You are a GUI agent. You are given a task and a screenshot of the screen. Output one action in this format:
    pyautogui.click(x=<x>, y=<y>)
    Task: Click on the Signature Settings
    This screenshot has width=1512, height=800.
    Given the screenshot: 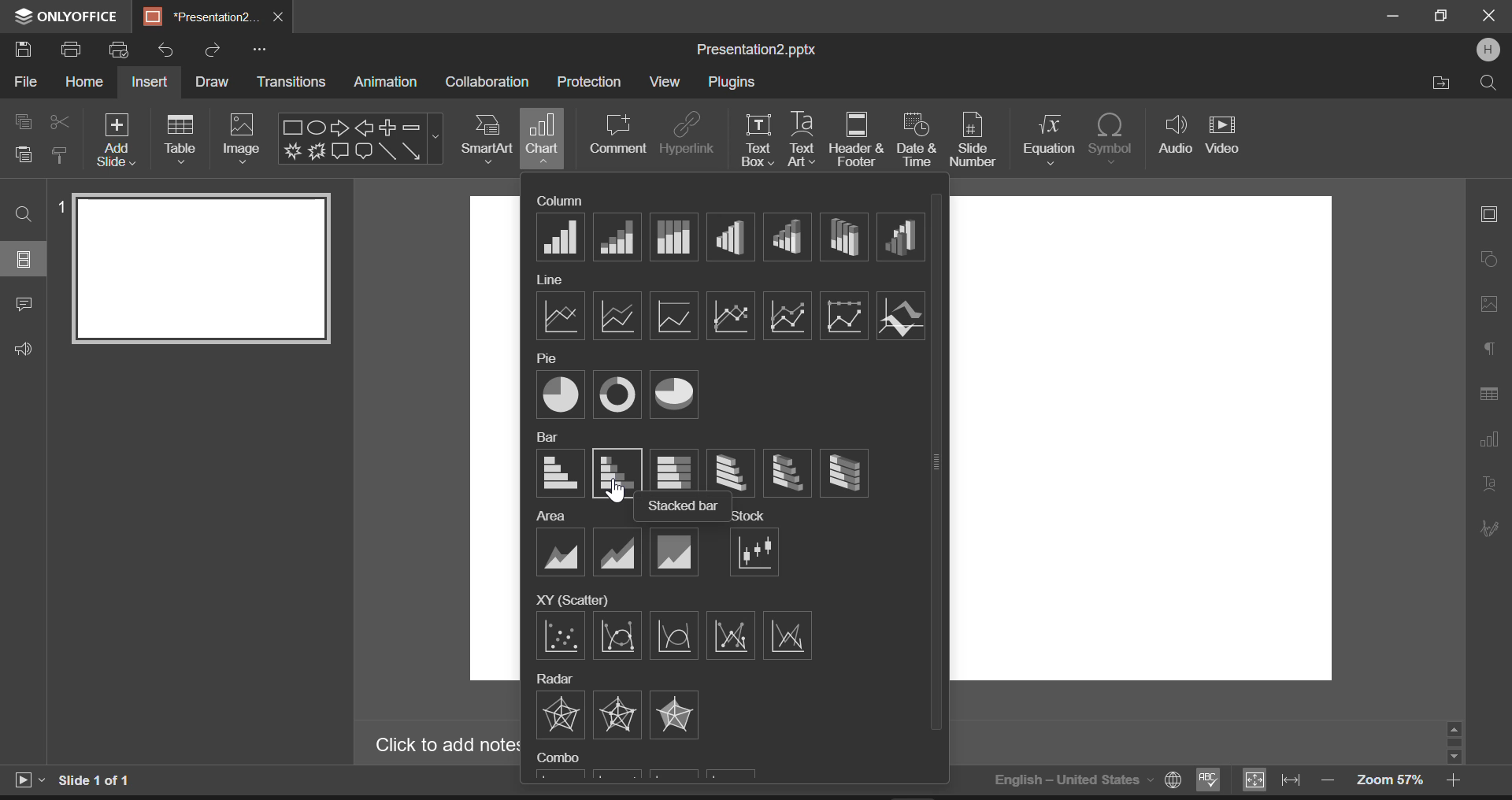 What is the action you would take?
    pyautogui.click(x=1488, y=528)
    